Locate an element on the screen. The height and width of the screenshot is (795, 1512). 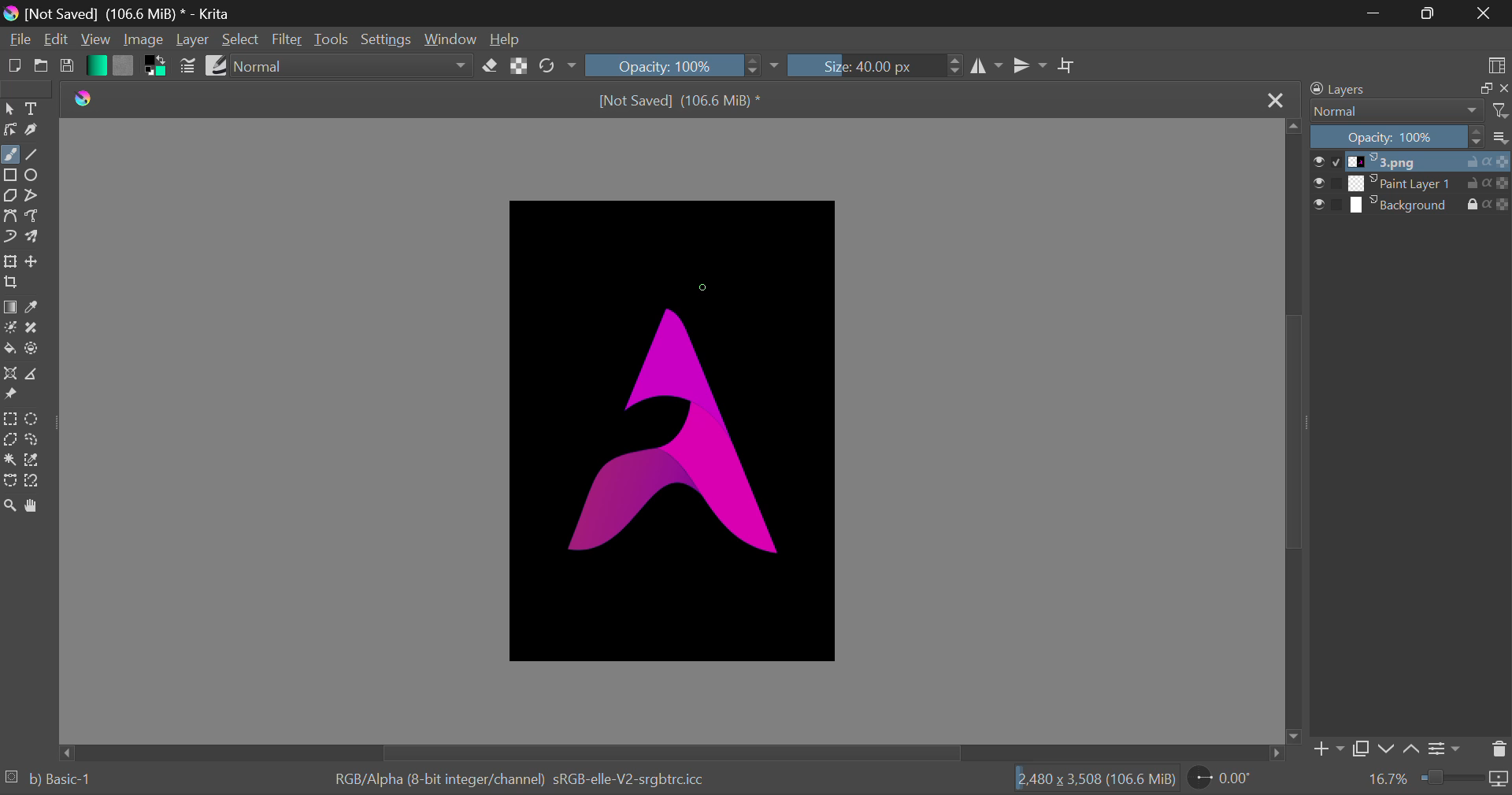
Select is located at coordinates (243, 39).